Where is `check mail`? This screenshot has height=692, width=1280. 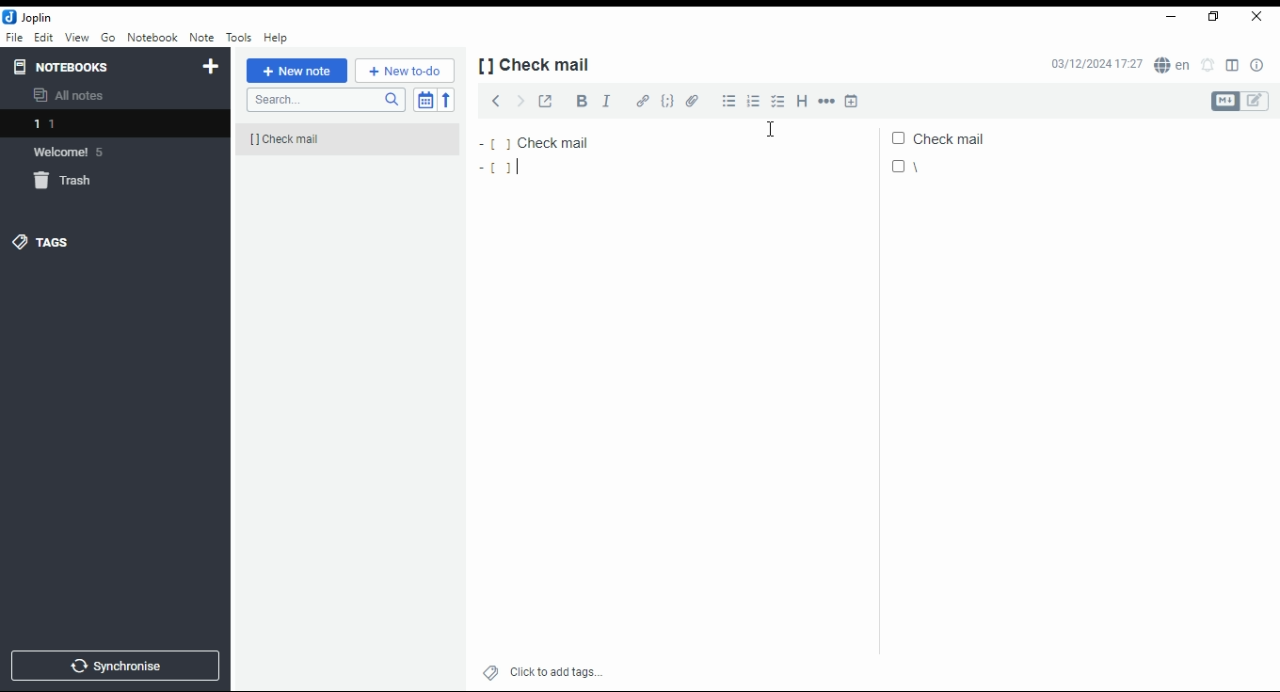 check mail is located at coordinates (948, 139).